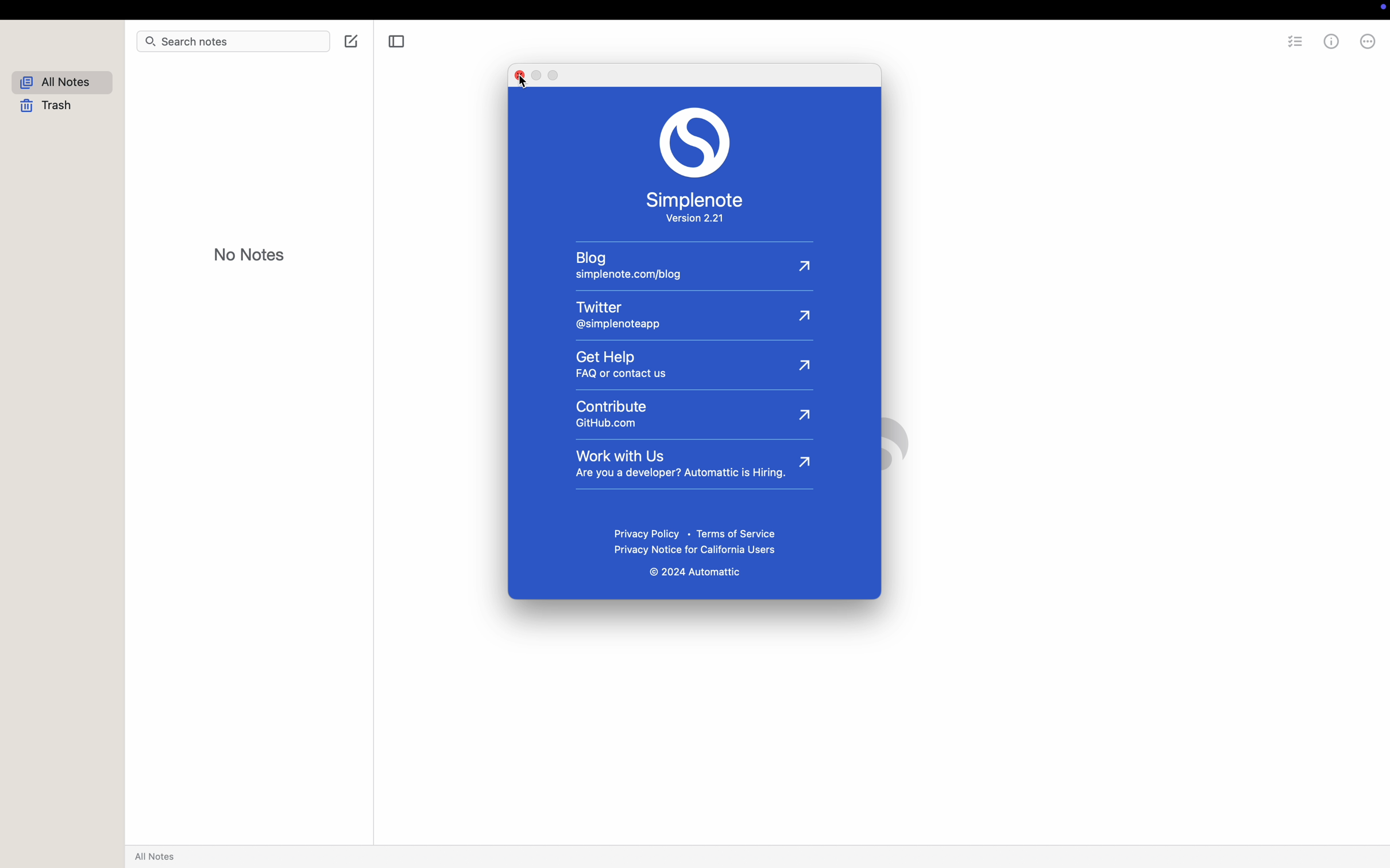  I want to click on write , so click(348, 40).